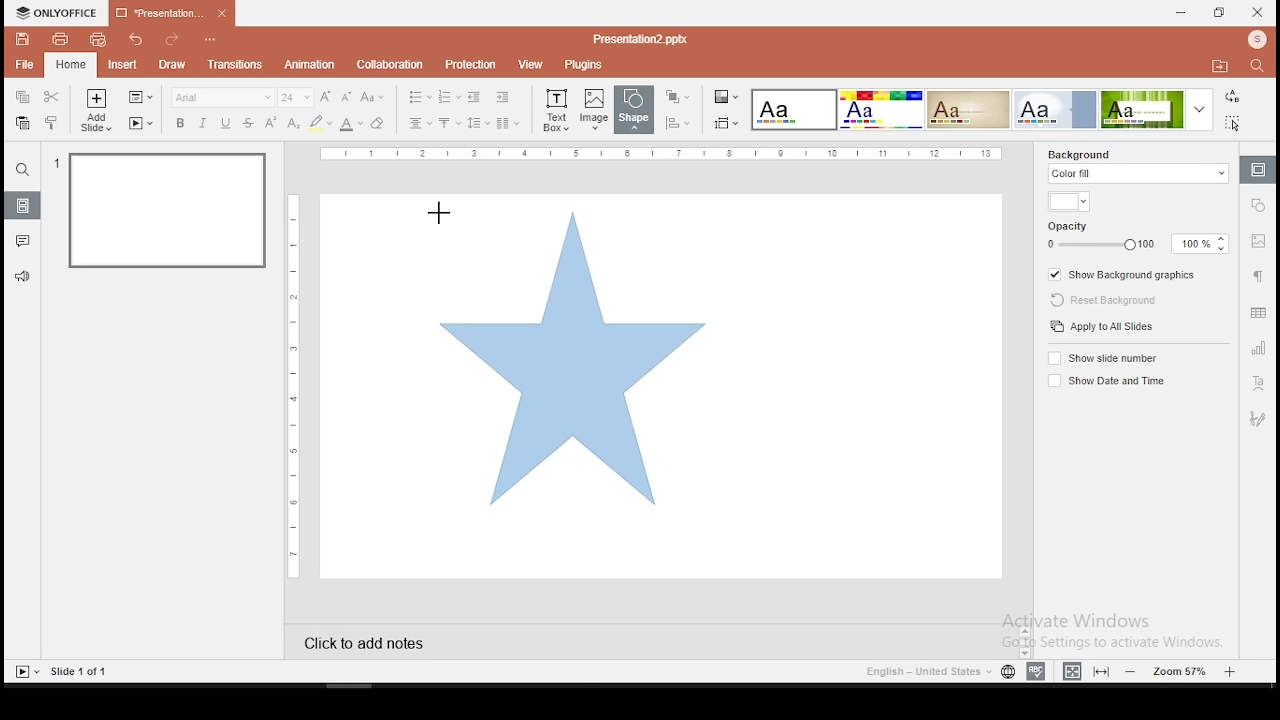 The image size is (1280, 720). Describe the element at coordinates (420, 124) in the screenshot. I see `horizontal alignment` at that location.